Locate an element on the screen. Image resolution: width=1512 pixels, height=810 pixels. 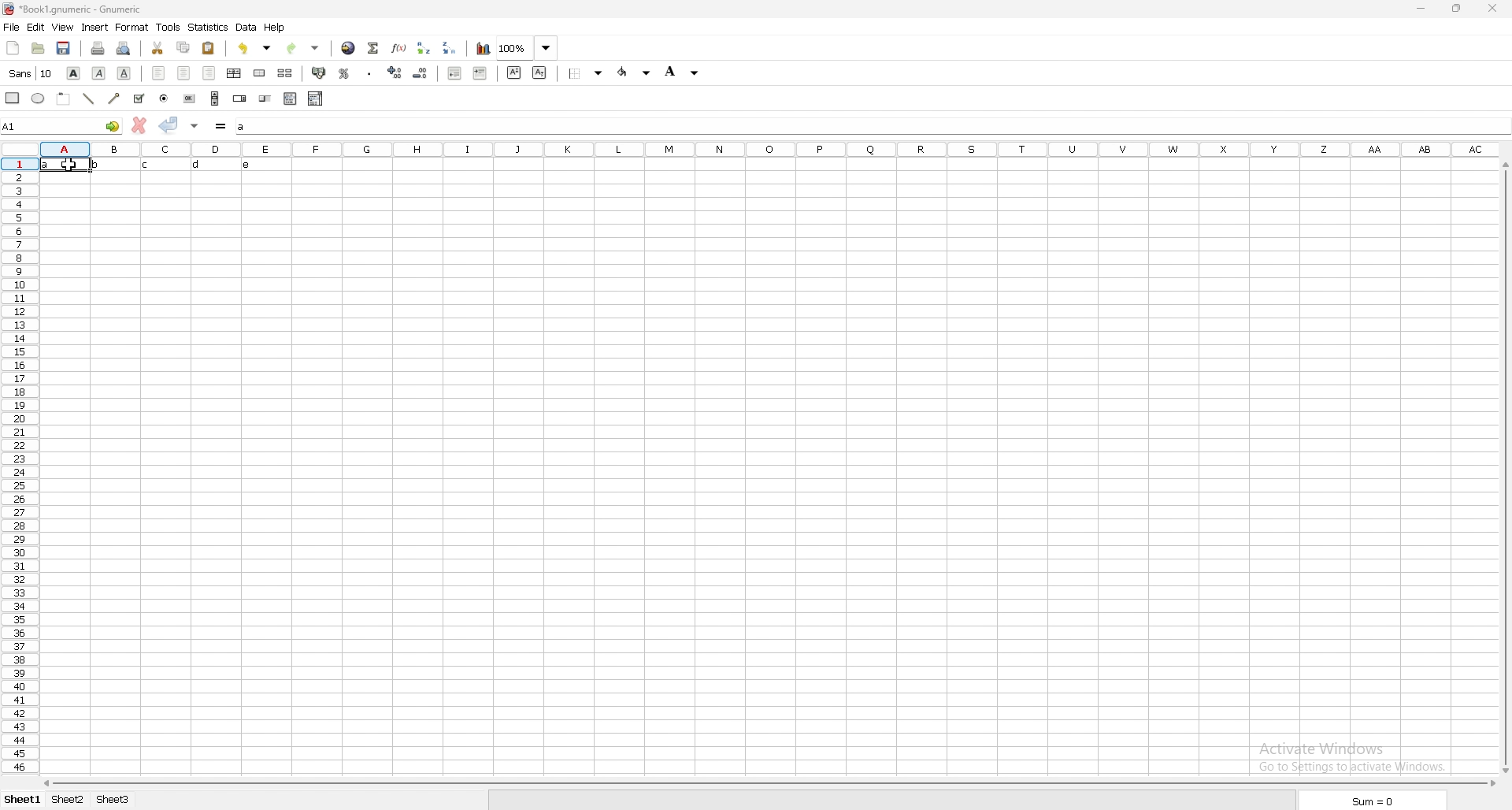
sort descending is located at coordinates (450, 48).